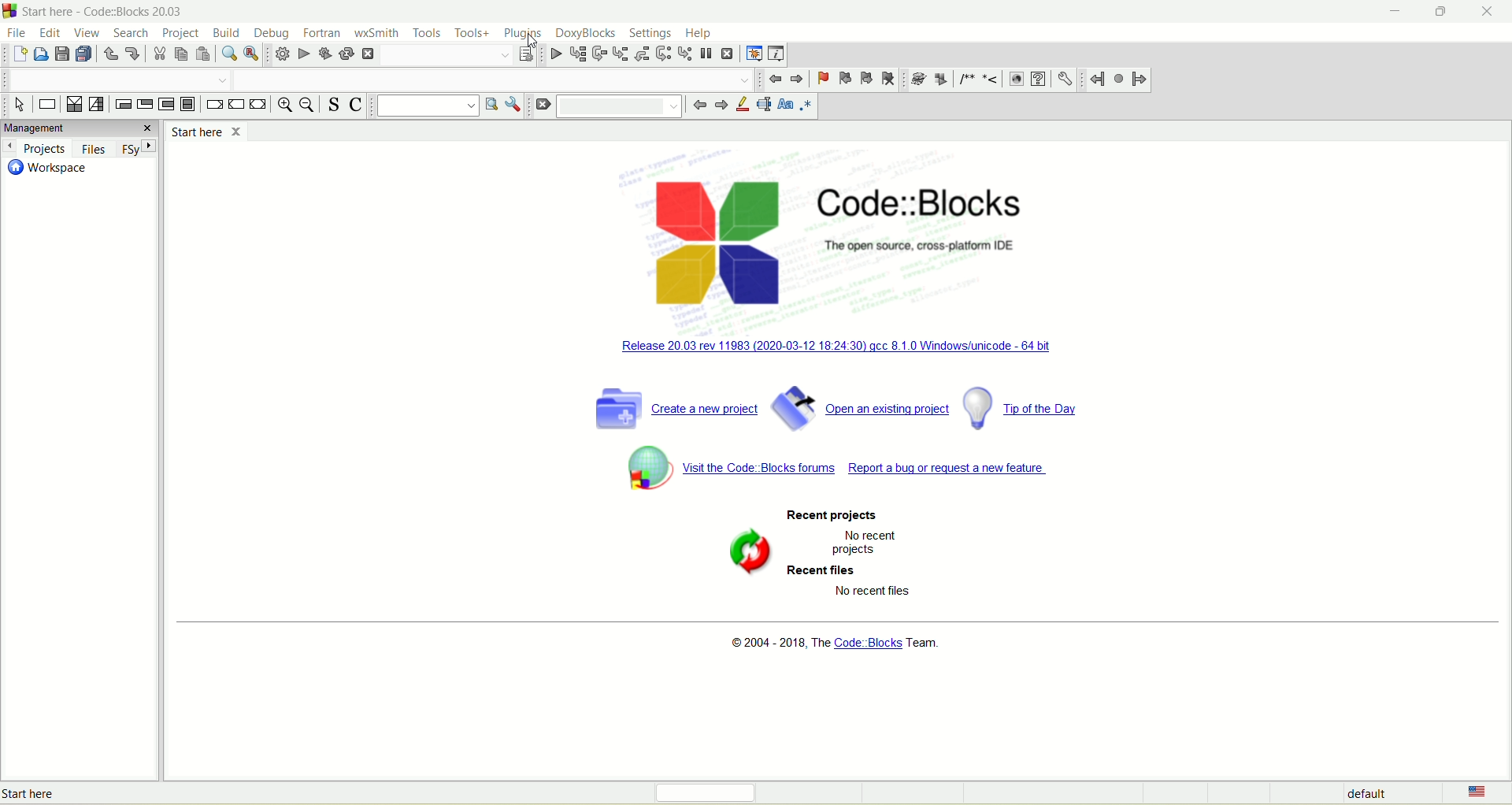 Image resolution: width=1512 pixels, height=805 pixels. What do you see at coordinates (327, 54) in the screenshot?
I see `build and run` at bounding box center [327, 54].